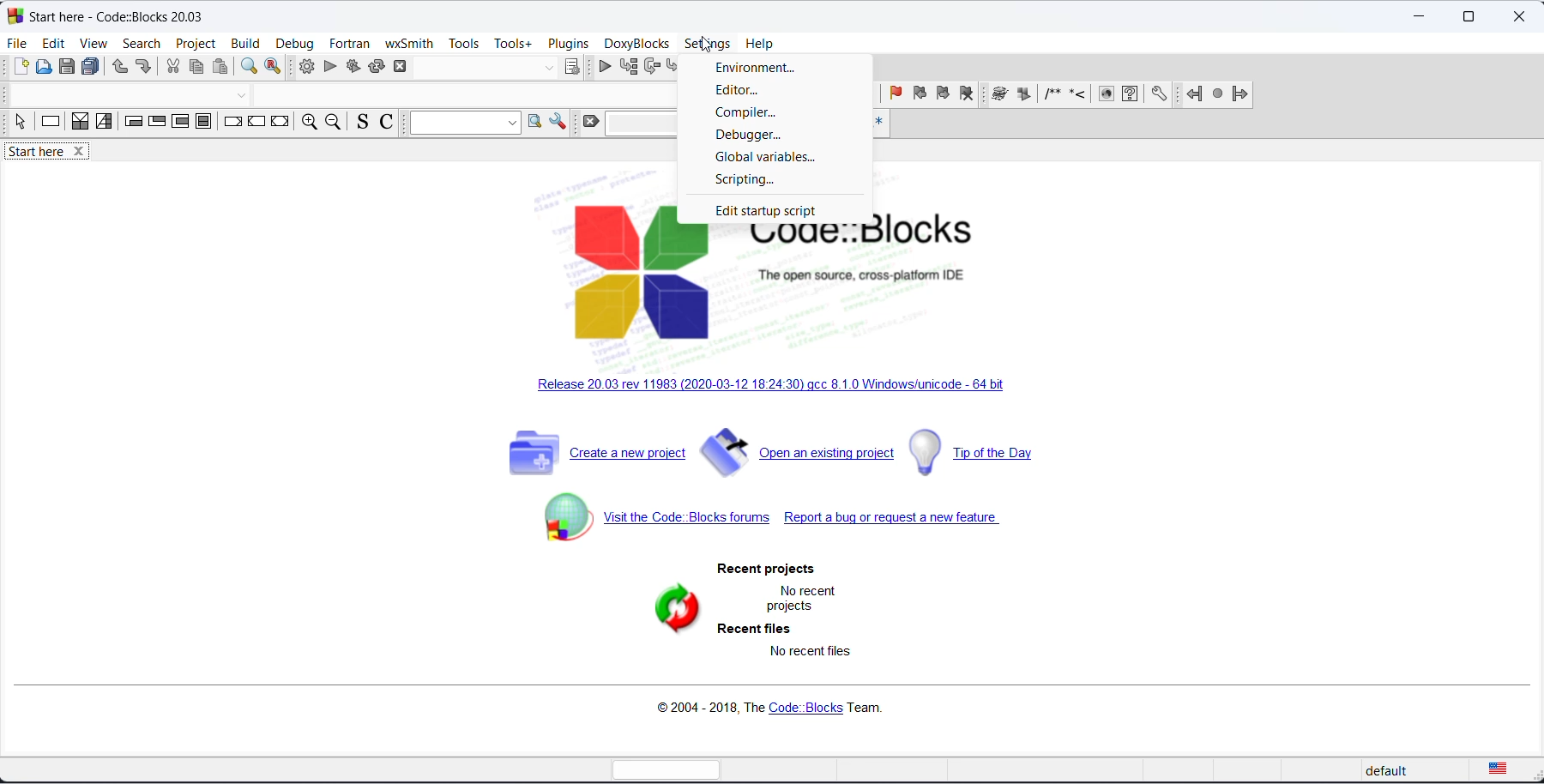  I want to click on copyright info, so click(775, 704).